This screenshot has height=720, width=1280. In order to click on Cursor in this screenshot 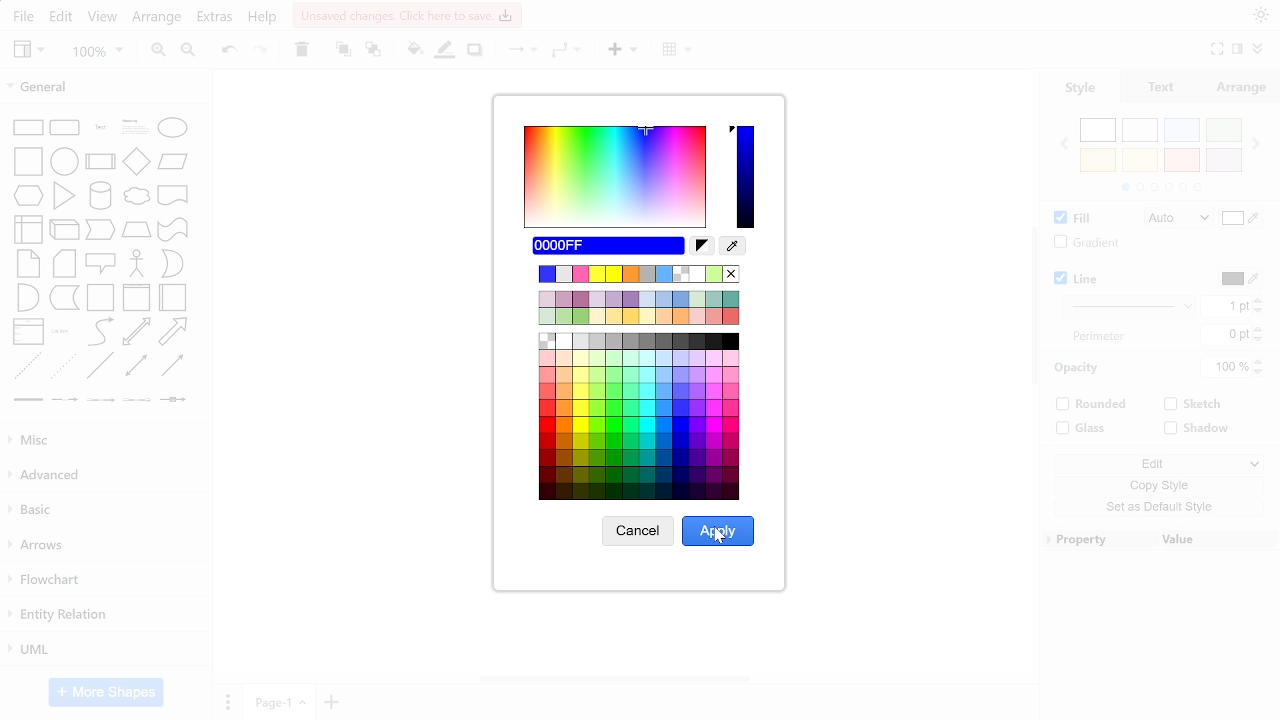, I will do `click(720, 536)`.